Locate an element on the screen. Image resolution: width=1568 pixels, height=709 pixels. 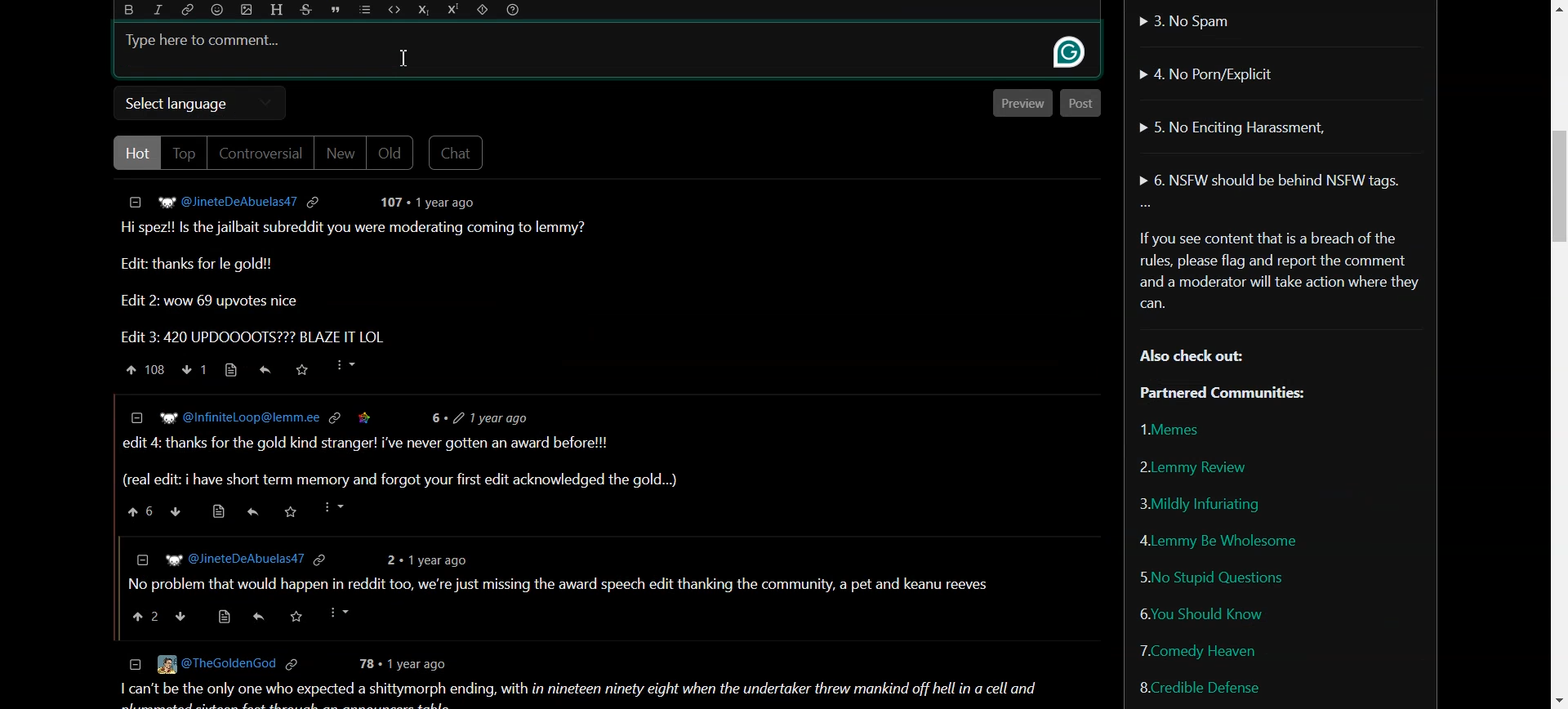
Code is located at coordinates (395, 10).